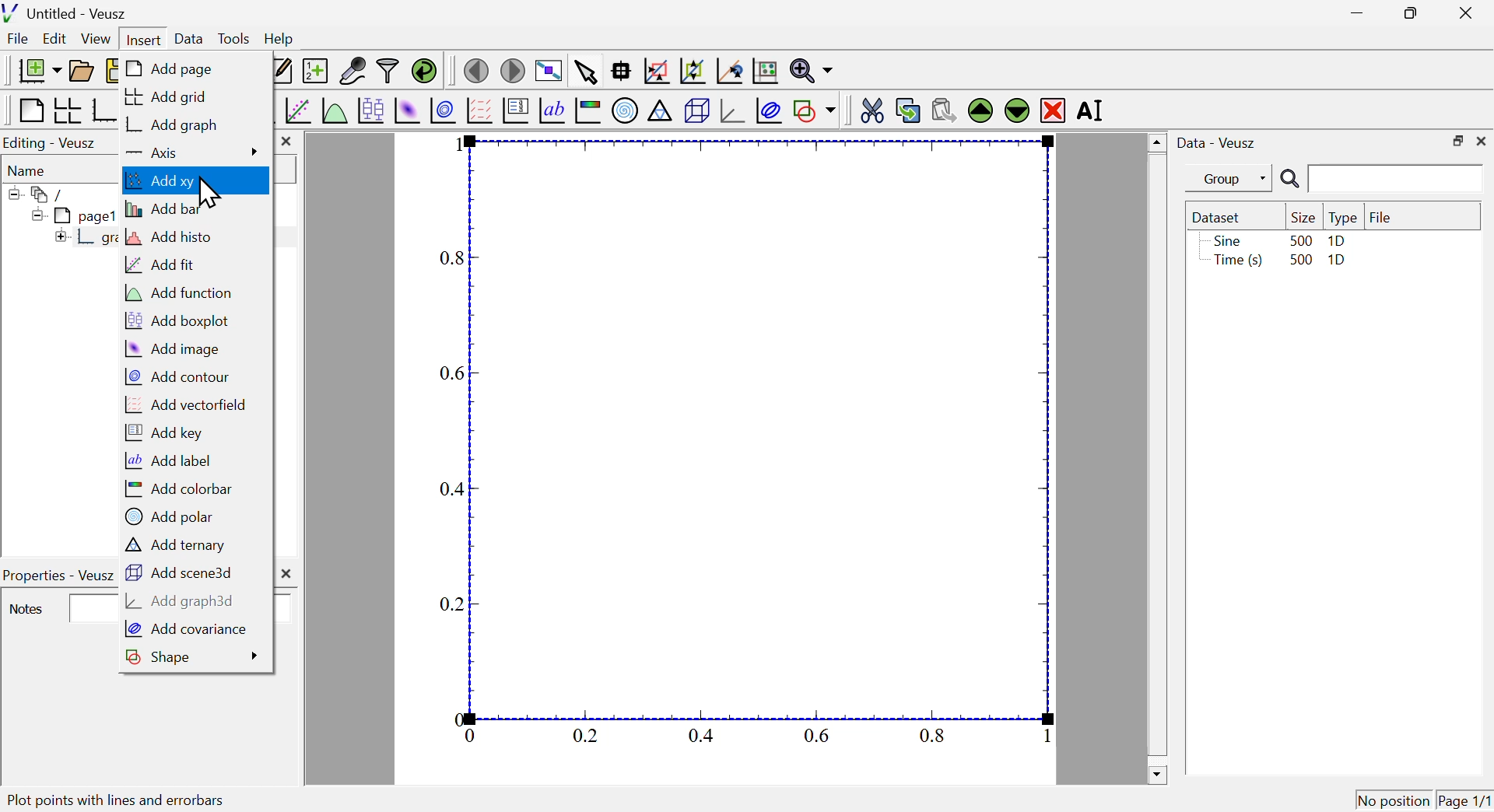  Describe the element at coordinates (169, 460) in the screenshot. I see `add label` at that location.